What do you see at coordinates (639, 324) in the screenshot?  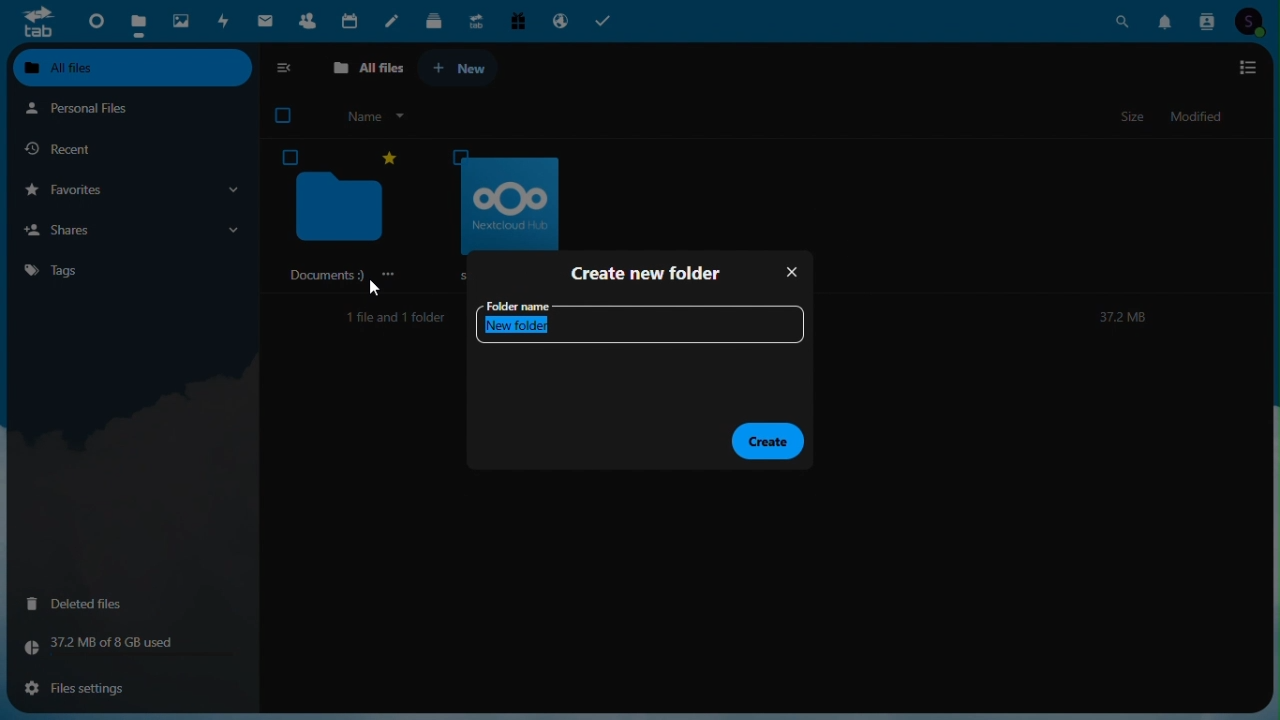 I see `Folder name` at bounding box center [639, 324].